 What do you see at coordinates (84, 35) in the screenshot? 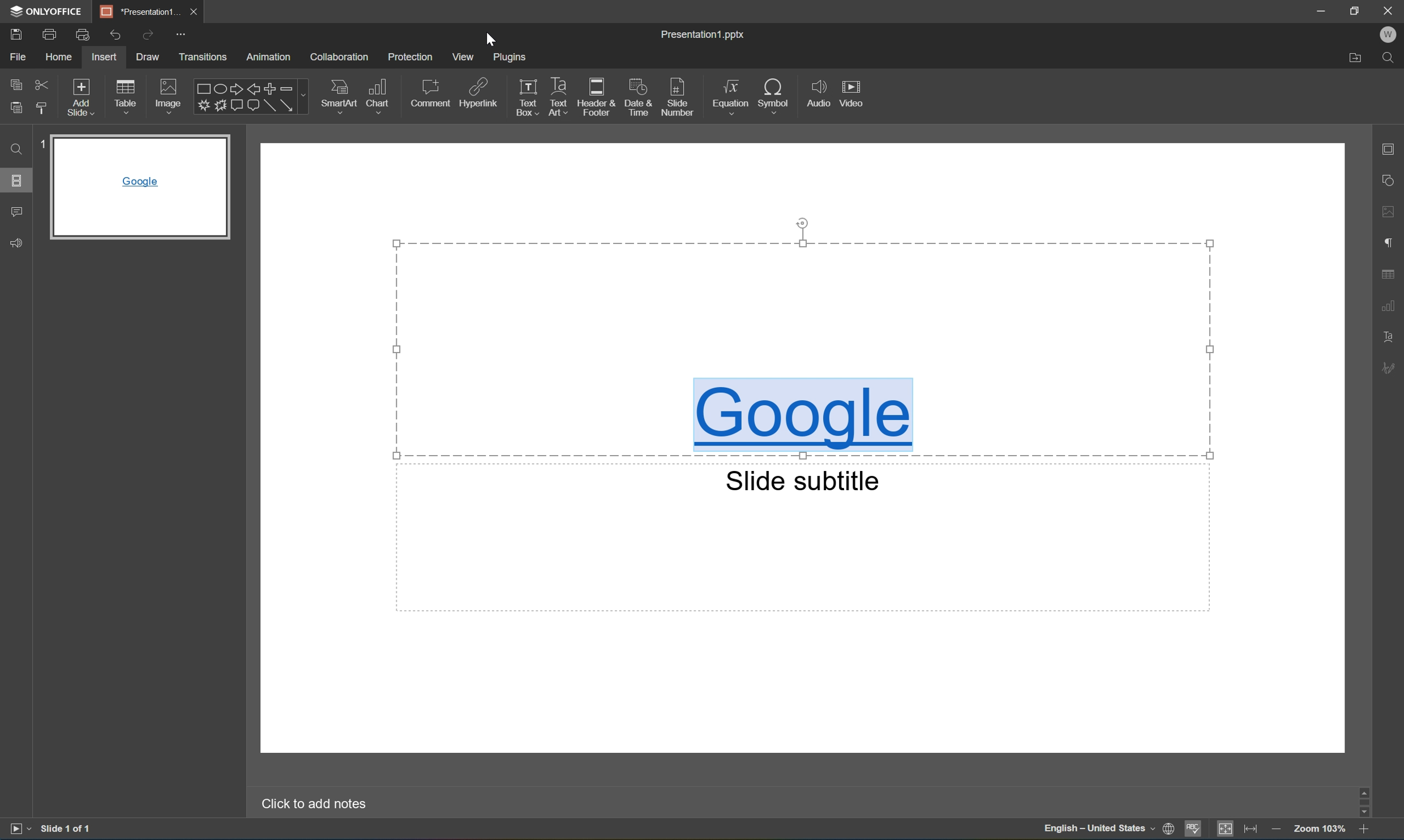
I see `Quick print` at bounding box center [84, 35].